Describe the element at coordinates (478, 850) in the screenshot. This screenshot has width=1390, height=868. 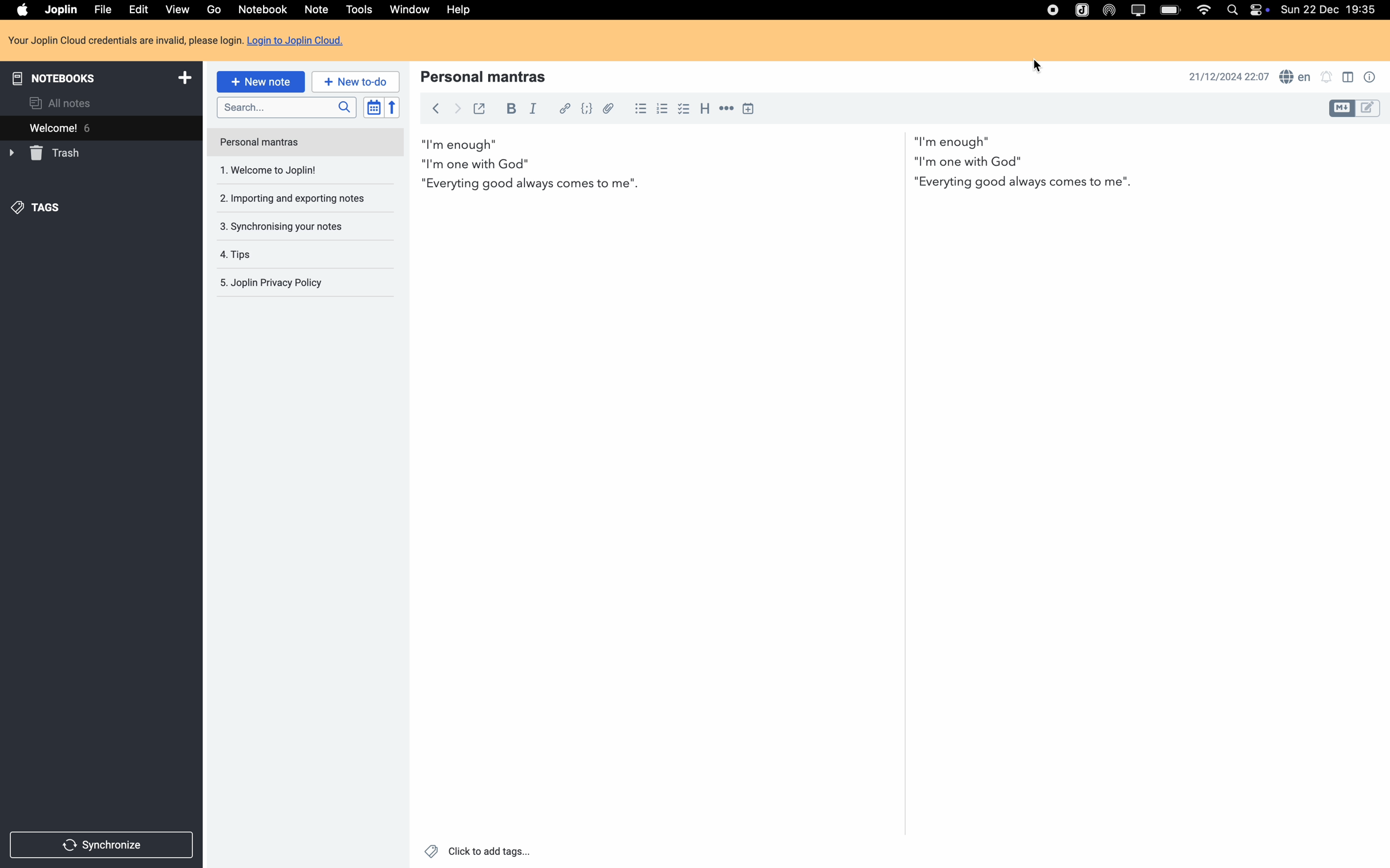
I see `click to add tags` at that location.